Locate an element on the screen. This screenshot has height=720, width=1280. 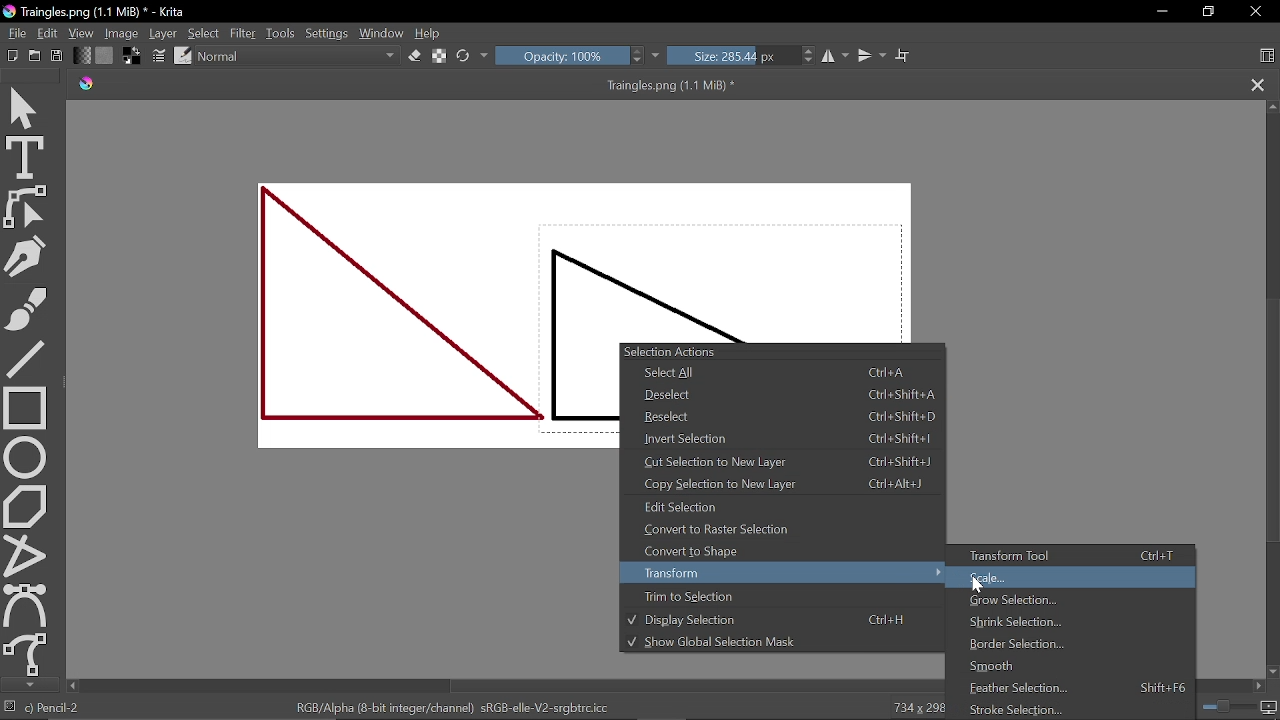
Opacity: 100% is located at coordinates (579, 56).